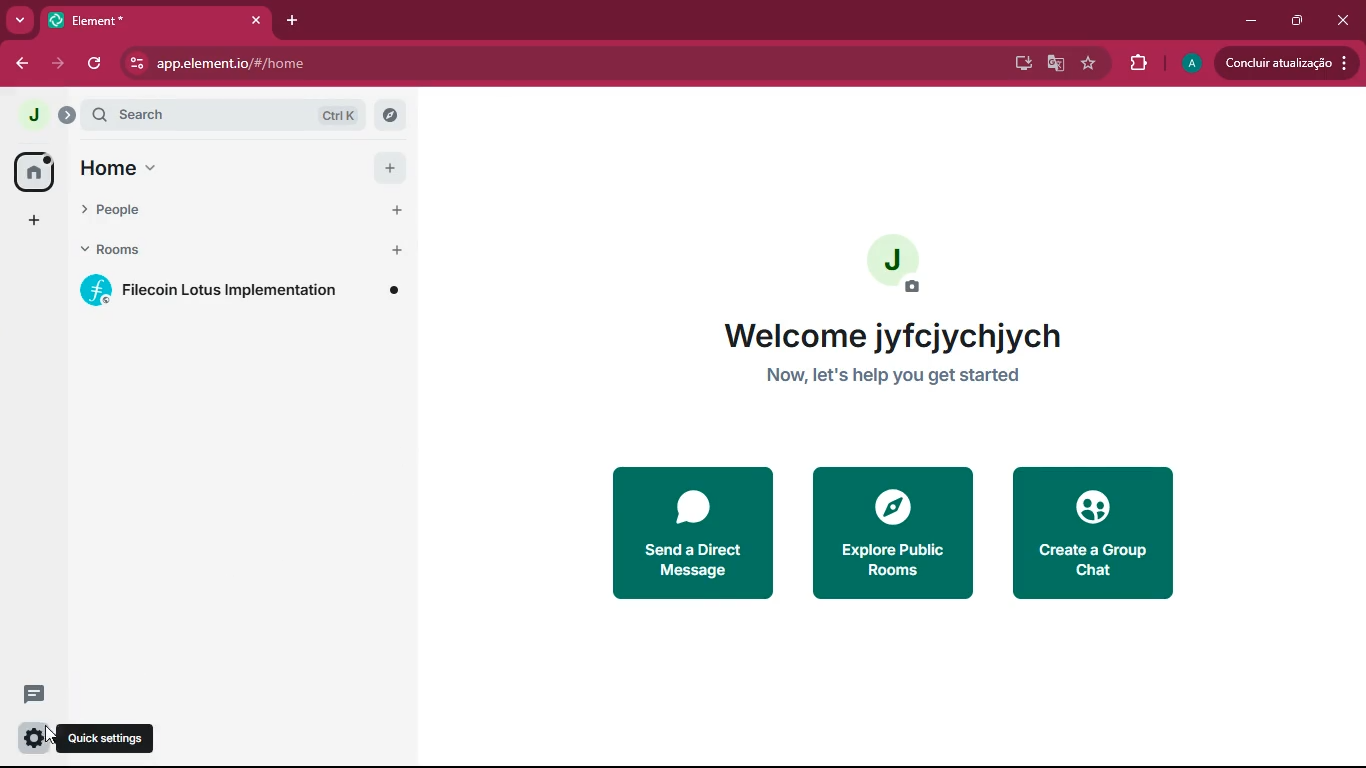  Describe the element at coordinates (18, 20) in the screenshot. I see `more` at that location.